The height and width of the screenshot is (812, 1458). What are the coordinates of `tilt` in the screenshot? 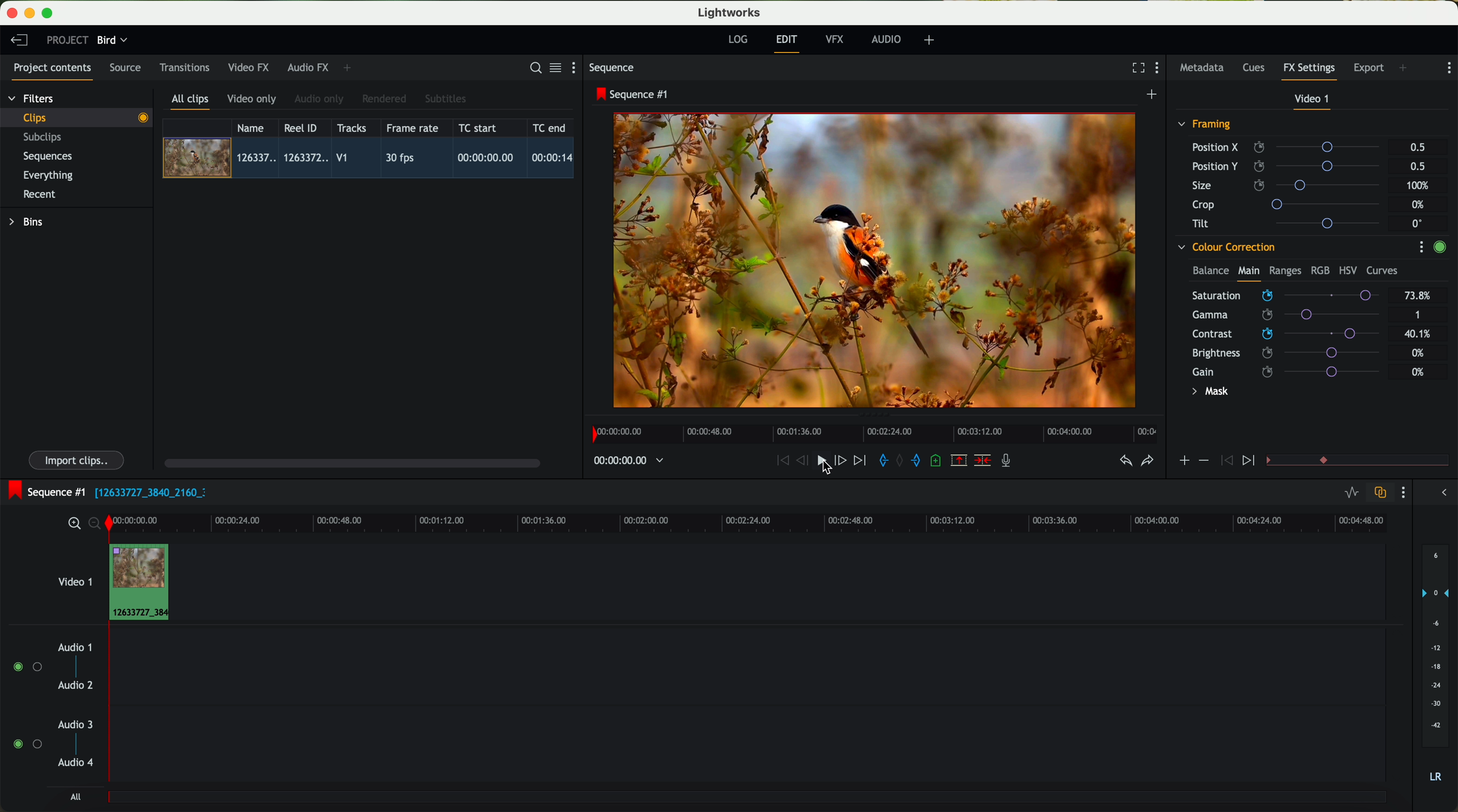 It's located at (1291, 223).